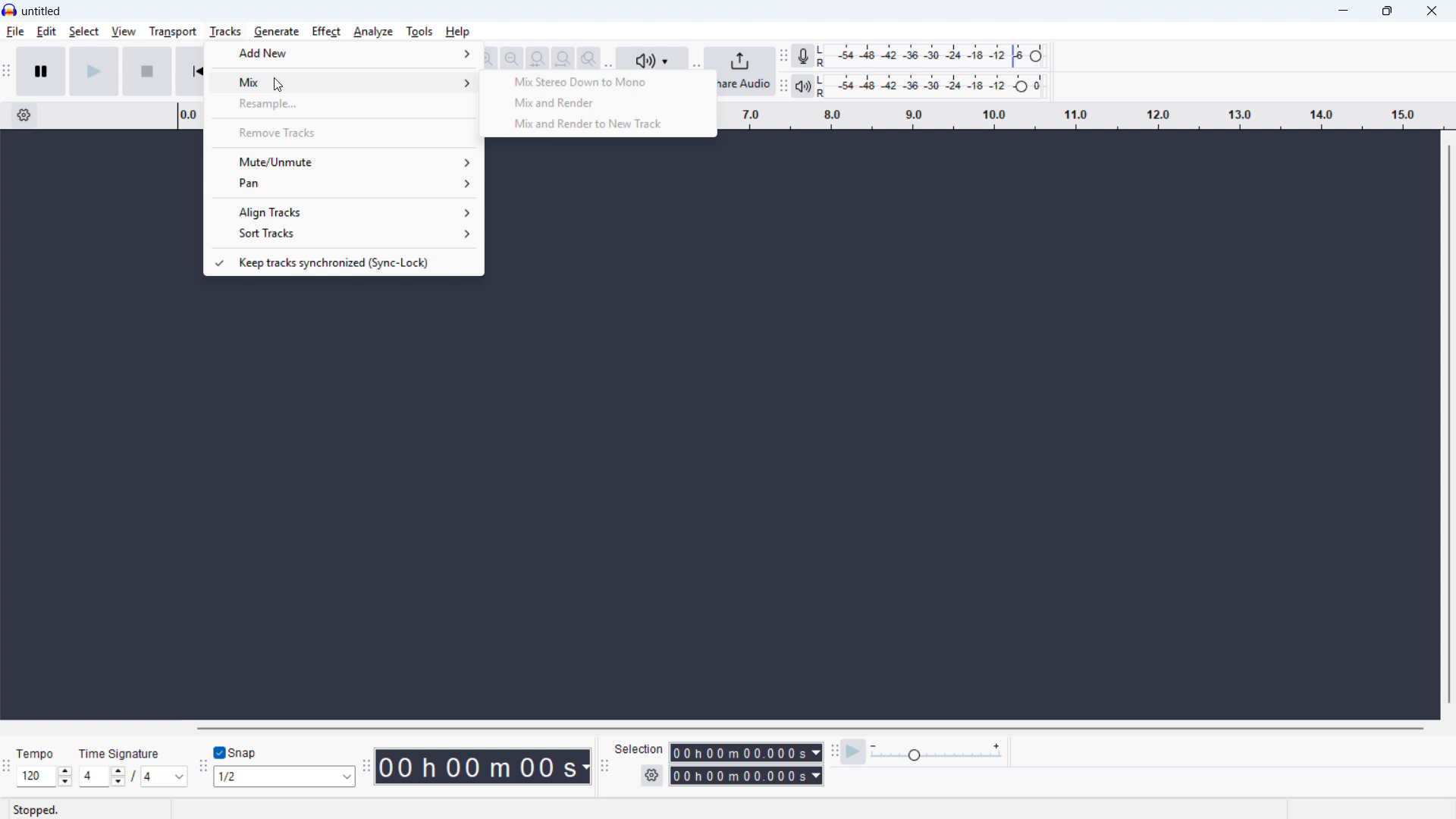 The height and width of the screenshot is (819, 1456). I want to click on Generate , so click(276, 32).